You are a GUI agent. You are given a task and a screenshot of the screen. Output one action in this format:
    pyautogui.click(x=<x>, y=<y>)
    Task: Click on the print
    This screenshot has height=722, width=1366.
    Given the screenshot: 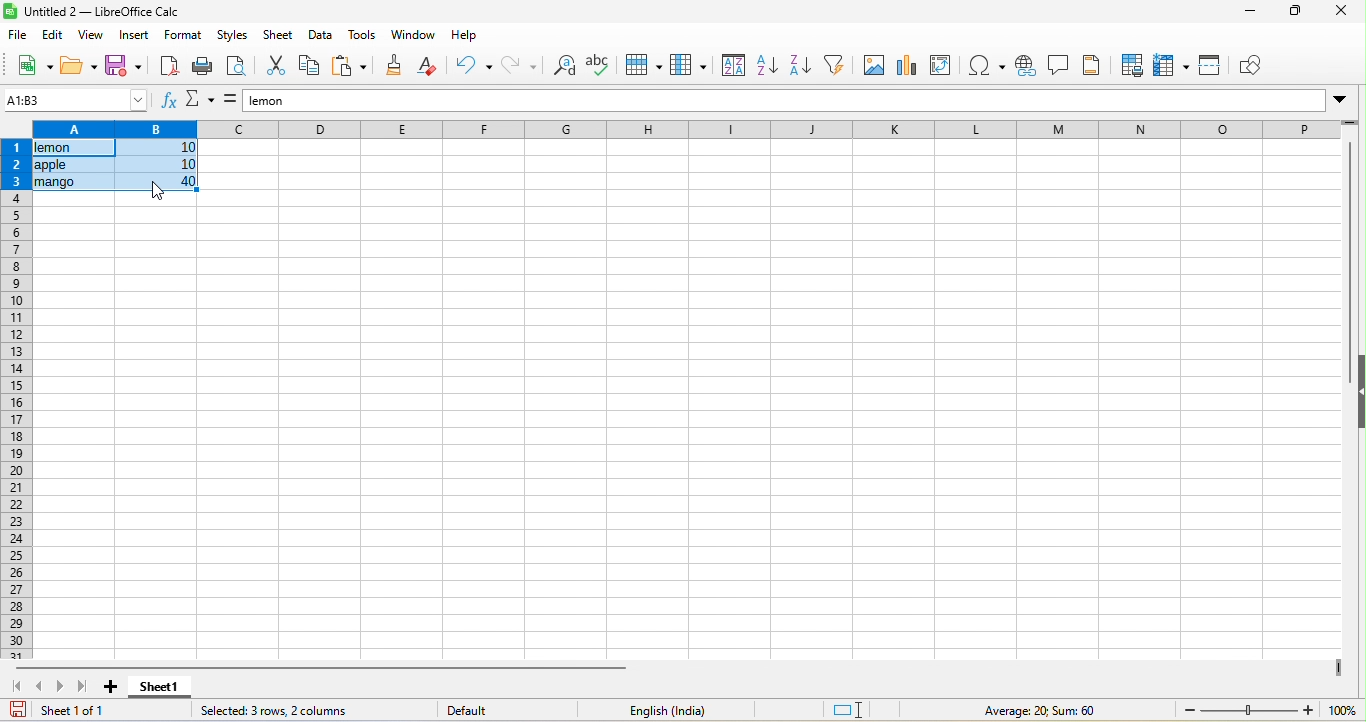 What is the action you would take?
    pyautogui.click(x=203, y=67)
    